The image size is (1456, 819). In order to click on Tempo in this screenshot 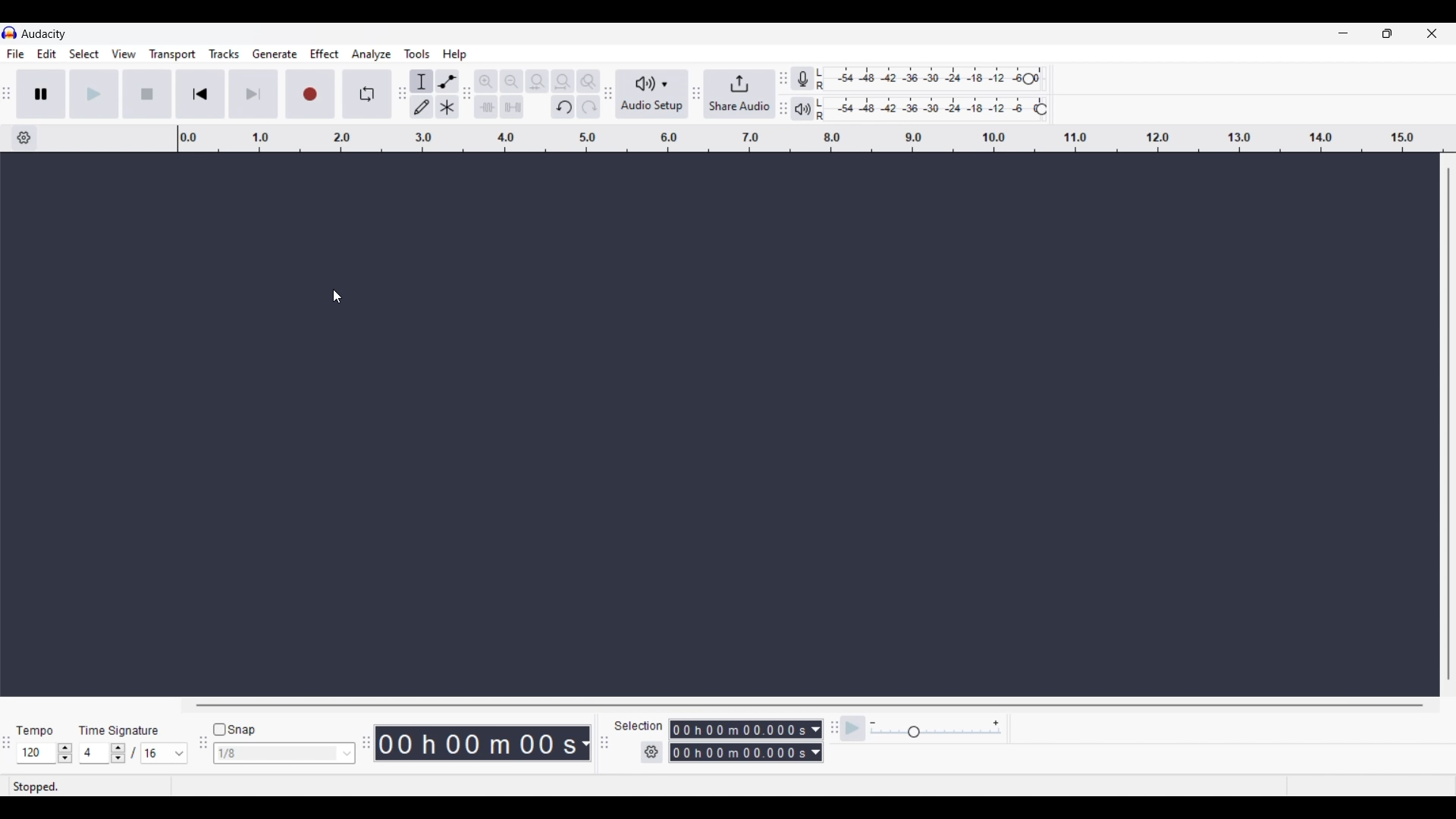, I will do `click(34, 730)`.